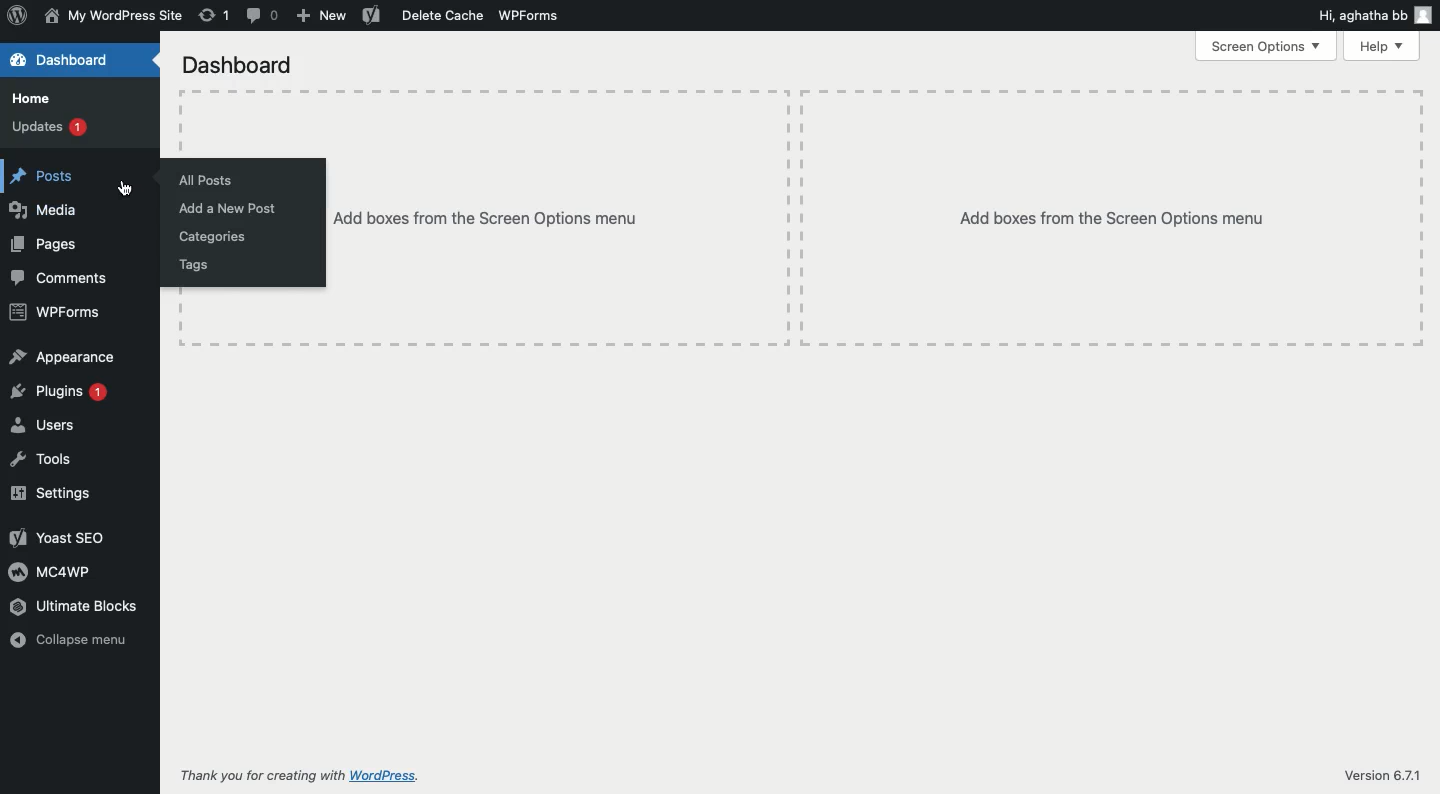  I want to click on New, so click(322, 17).